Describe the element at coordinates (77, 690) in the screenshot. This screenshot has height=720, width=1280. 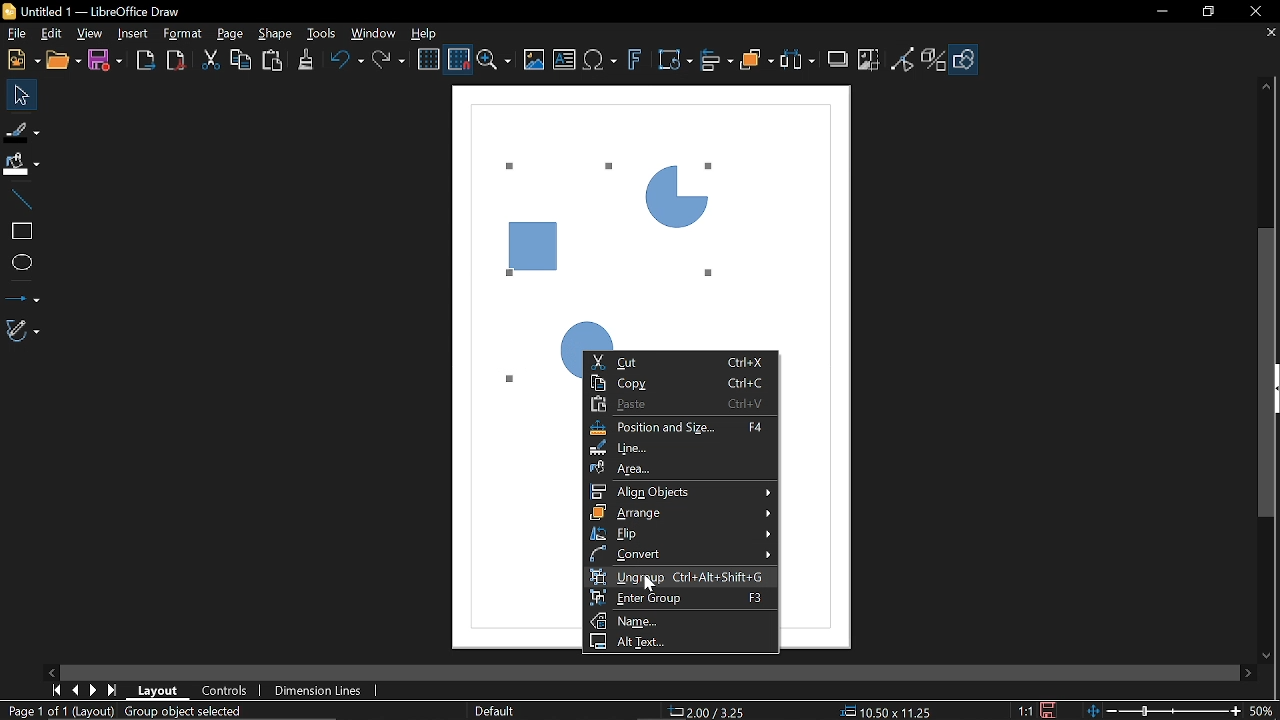
I see `Previous page` at that location.